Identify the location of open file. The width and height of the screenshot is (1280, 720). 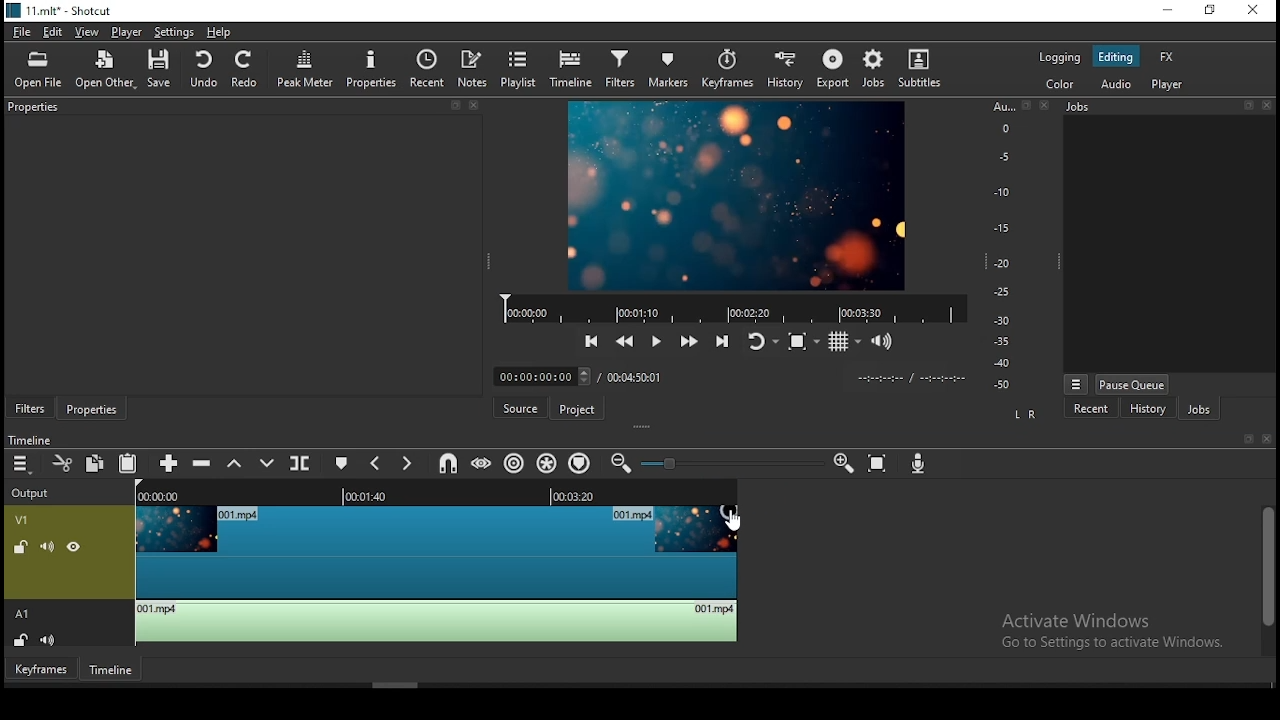
(39, 68).